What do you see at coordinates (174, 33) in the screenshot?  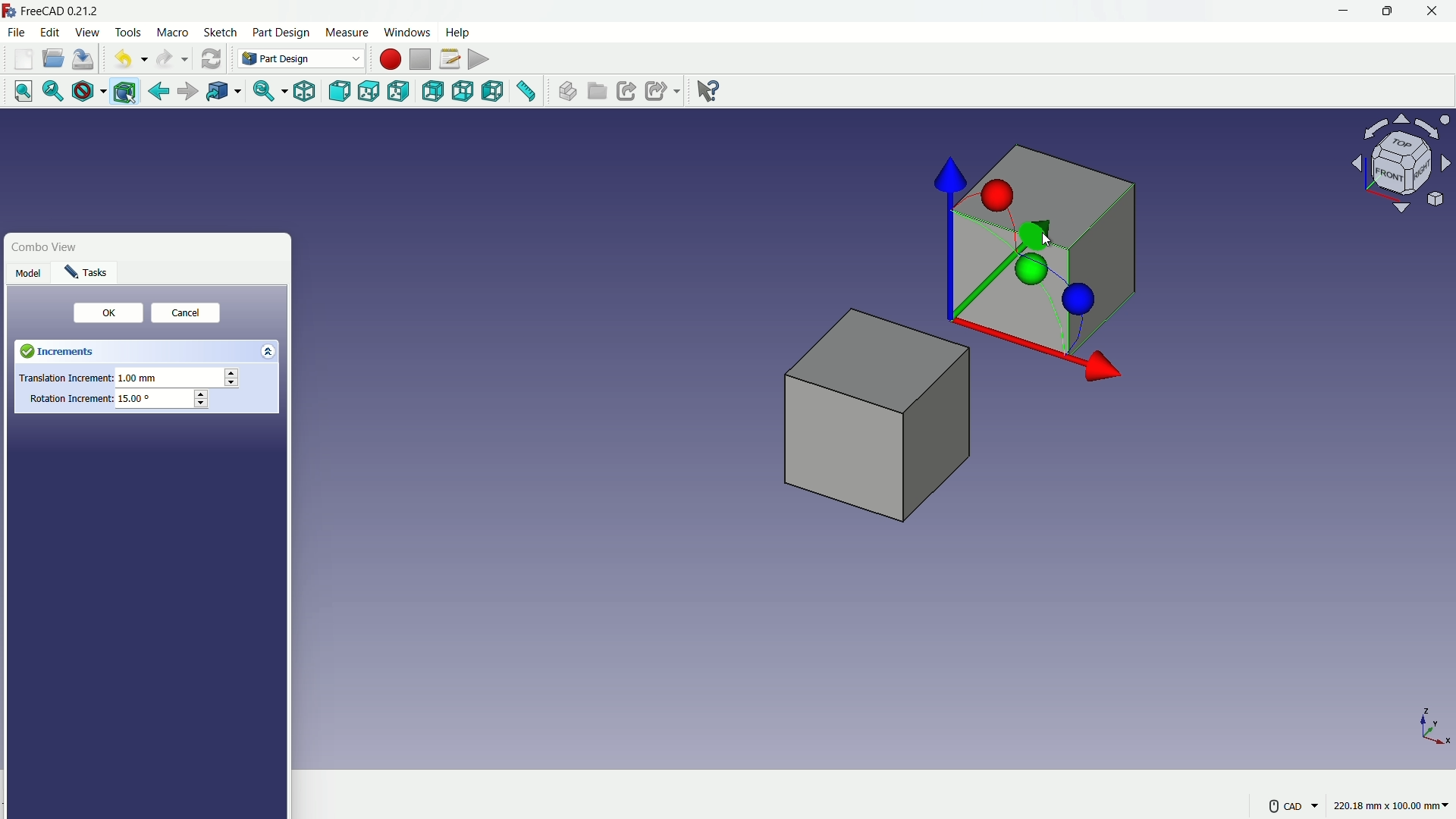 I see `macro` at bounding box center [174, 33].